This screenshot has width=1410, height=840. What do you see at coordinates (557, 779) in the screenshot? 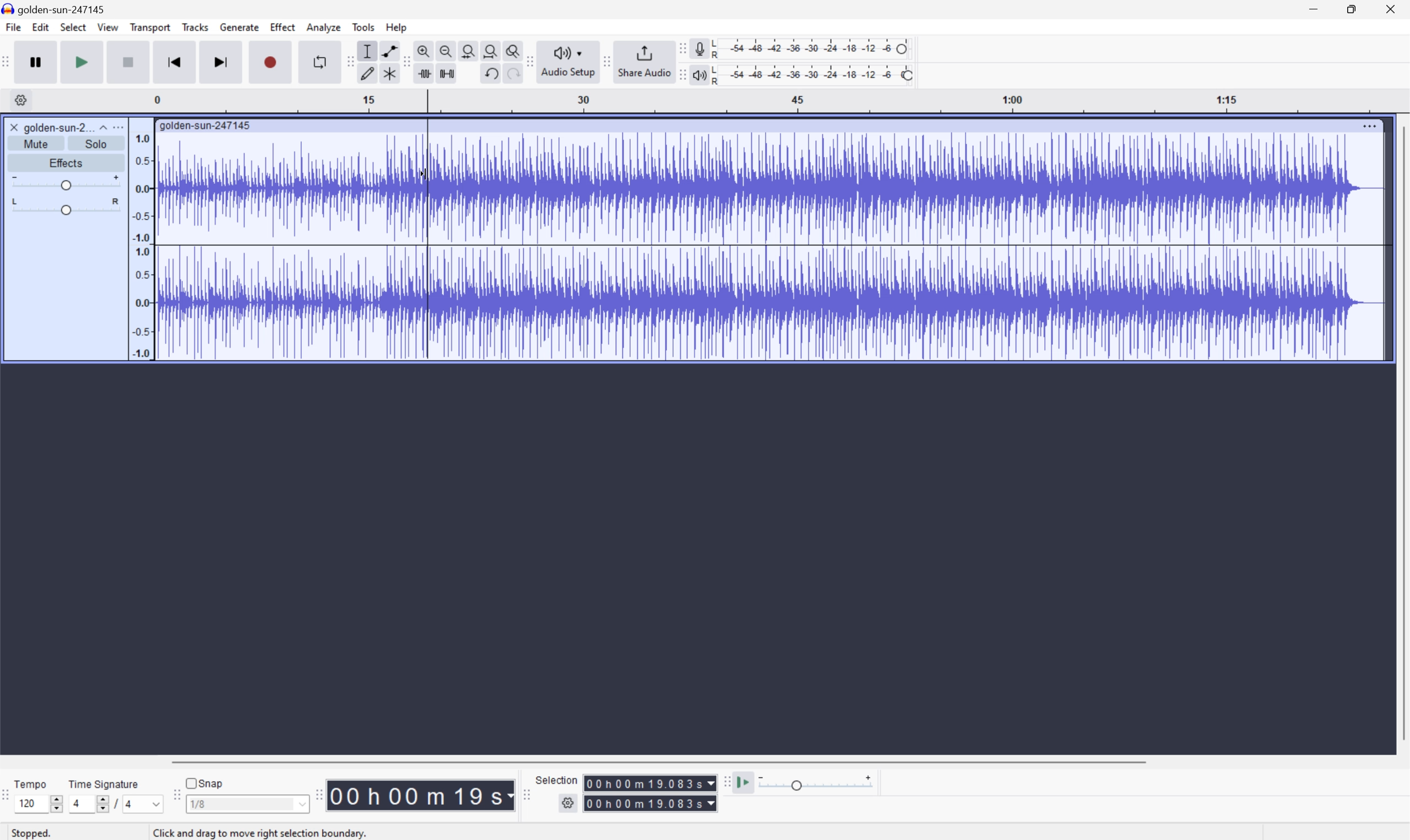
I see `Selection` at bounding box center [557, 779].